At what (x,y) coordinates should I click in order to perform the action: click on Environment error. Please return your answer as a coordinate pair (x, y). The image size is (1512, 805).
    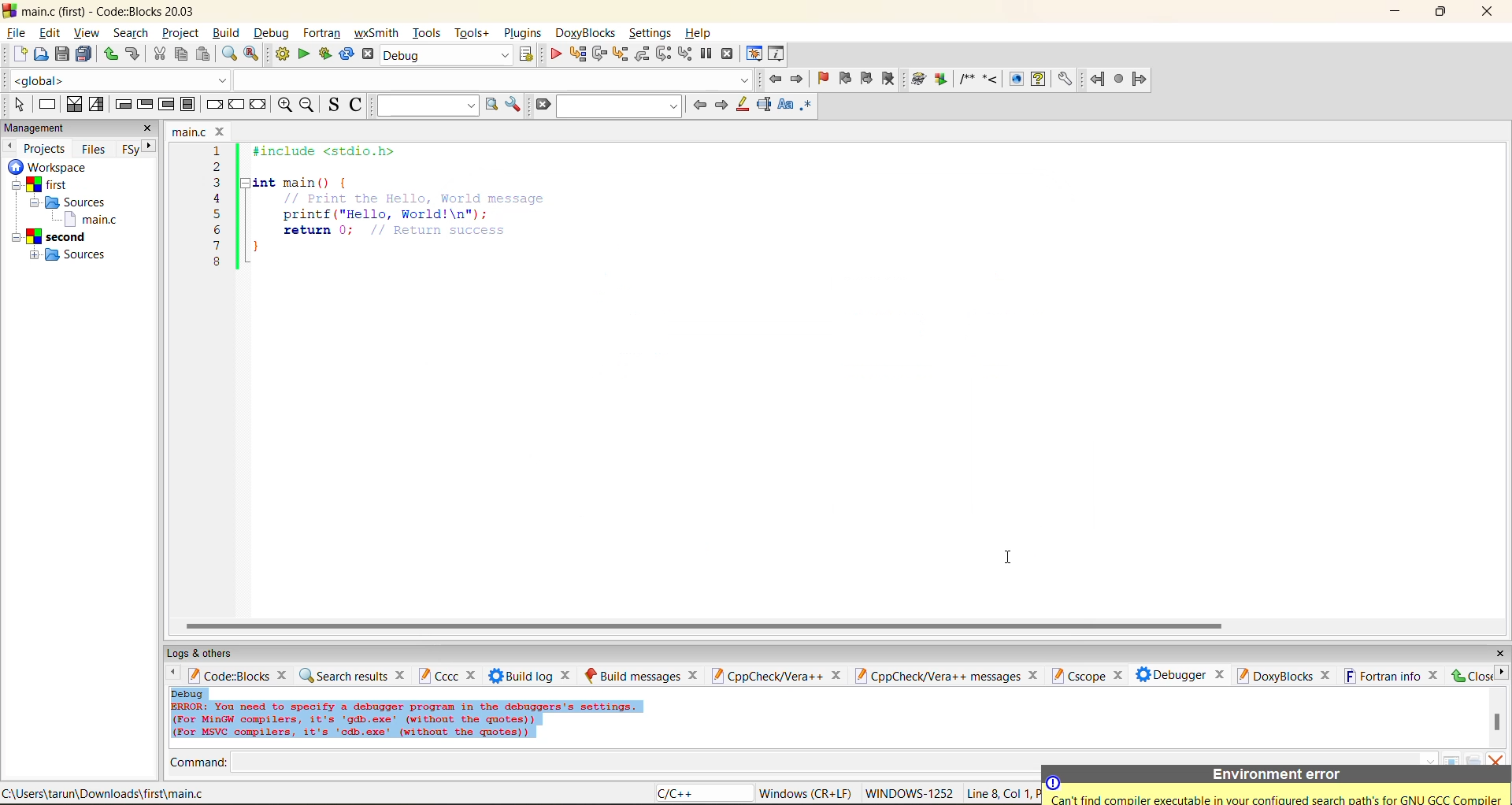
    Looking at the image, I should click on (1277, 775).